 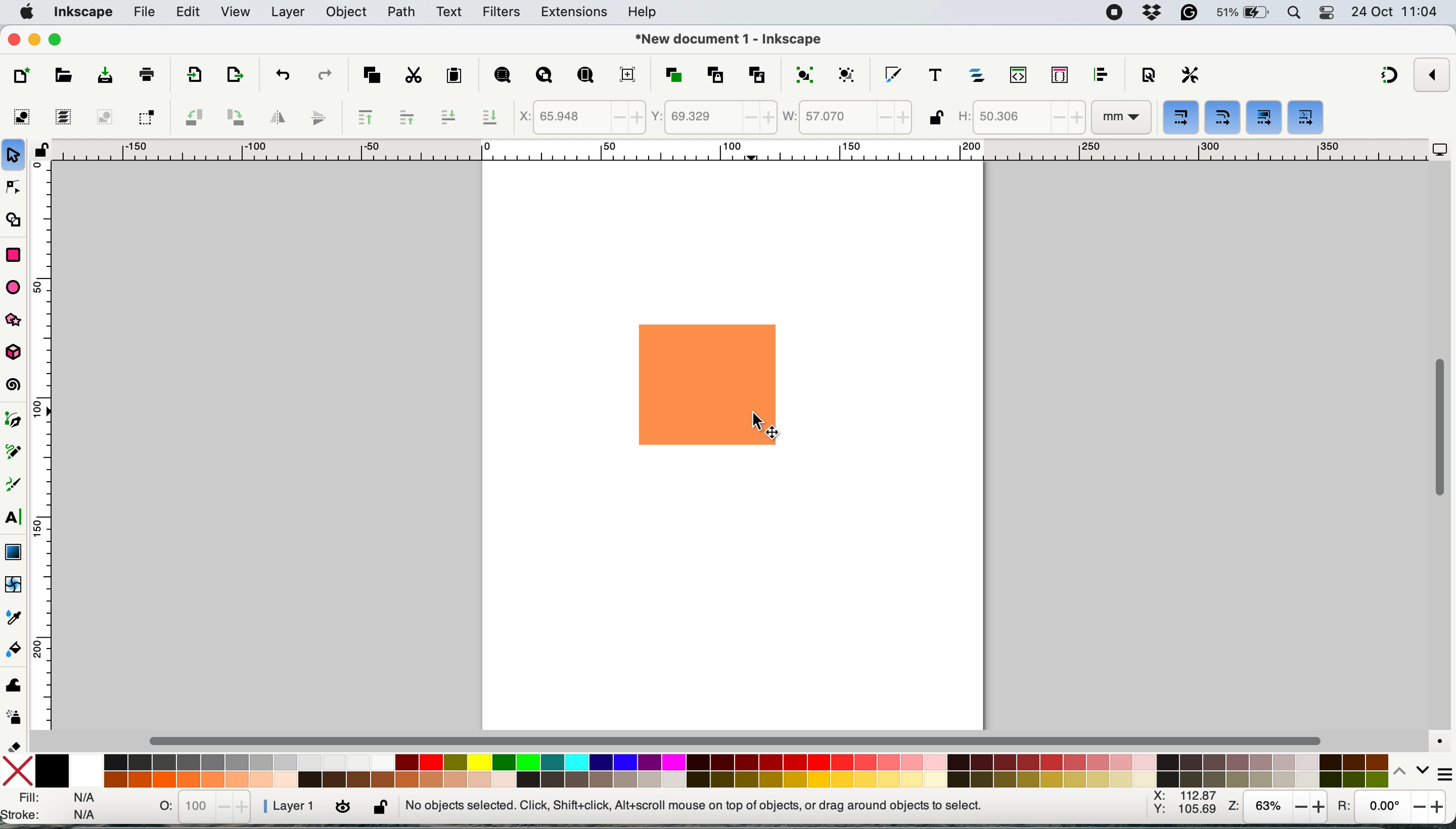 What do you see at coordinates (206, 806) in the screenshot?
I see `stats` at bounding box center [206, 806].